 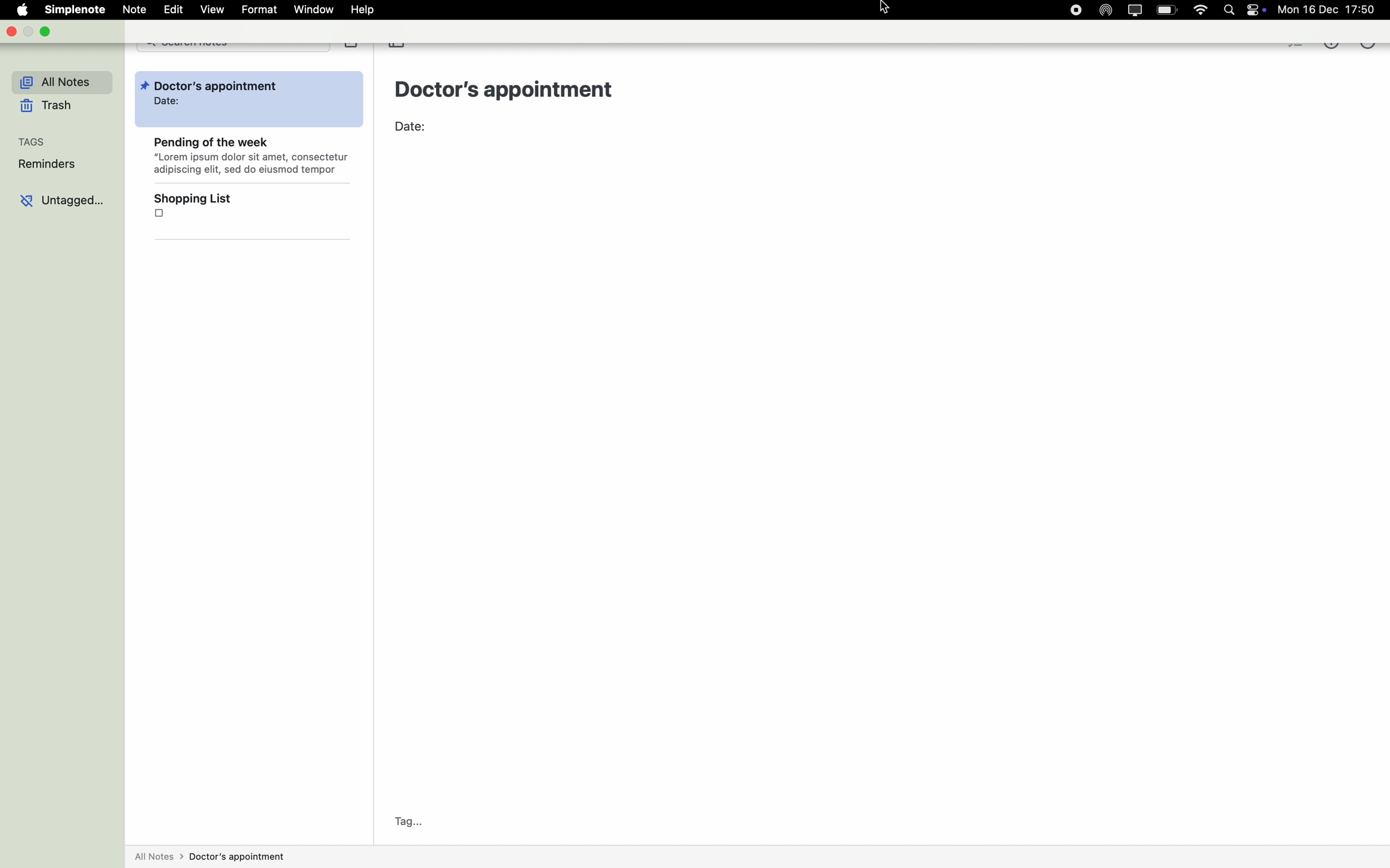 I want to click on Apple, so click(x=17, y=10).